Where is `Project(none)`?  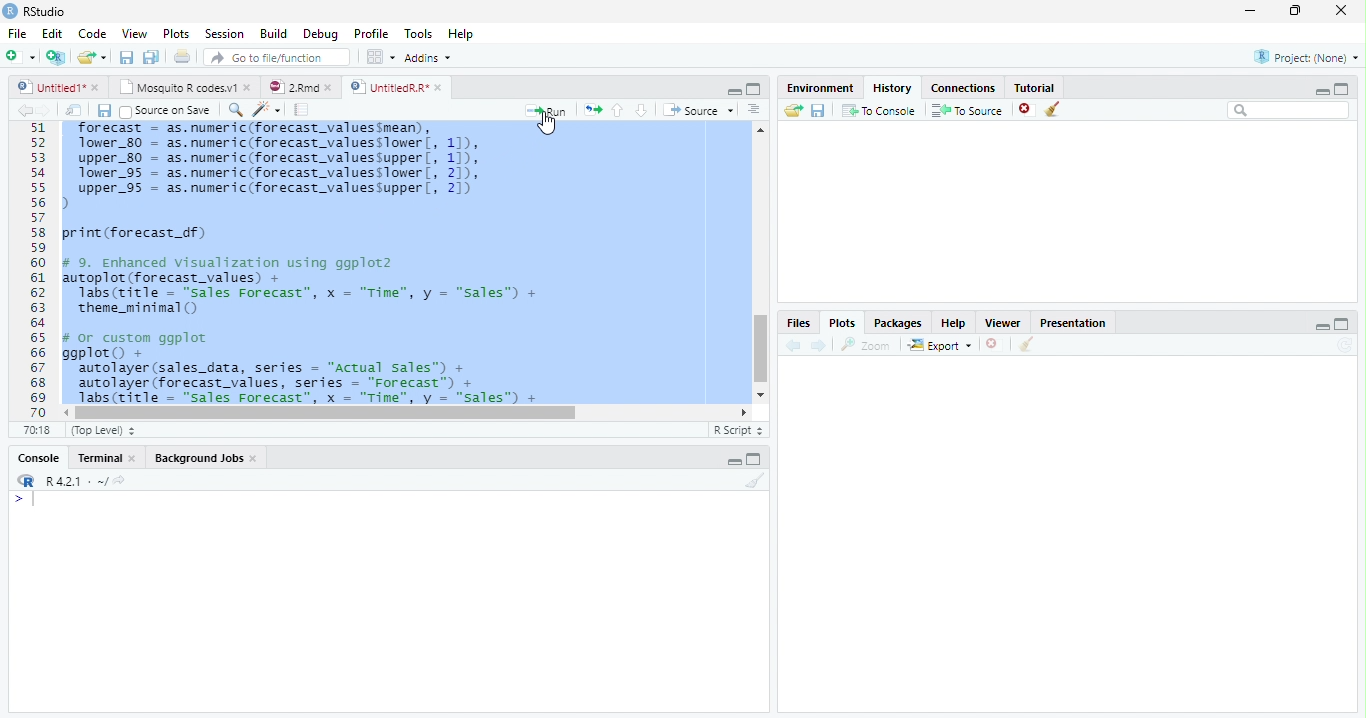
Project(none) is located at coordinates (1305, 56).